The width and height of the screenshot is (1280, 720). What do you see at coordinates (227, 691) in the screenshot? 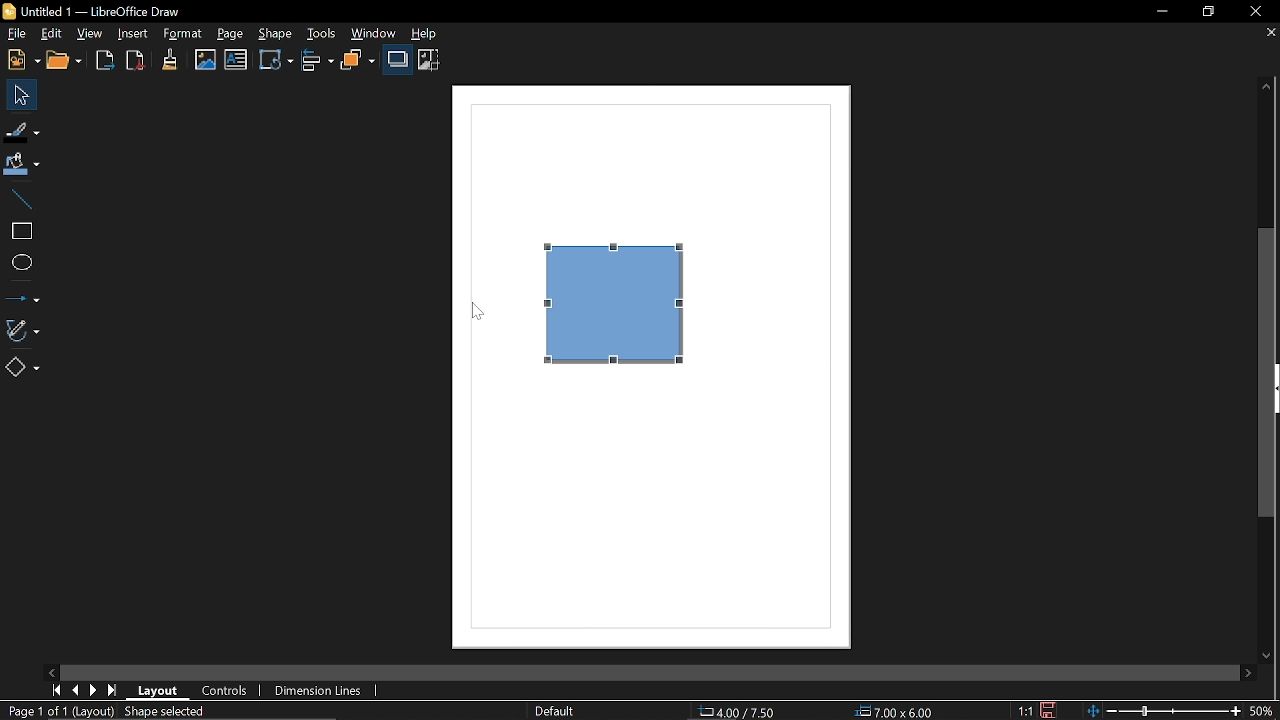
I see `Controls` at bounding box center [227, 691].